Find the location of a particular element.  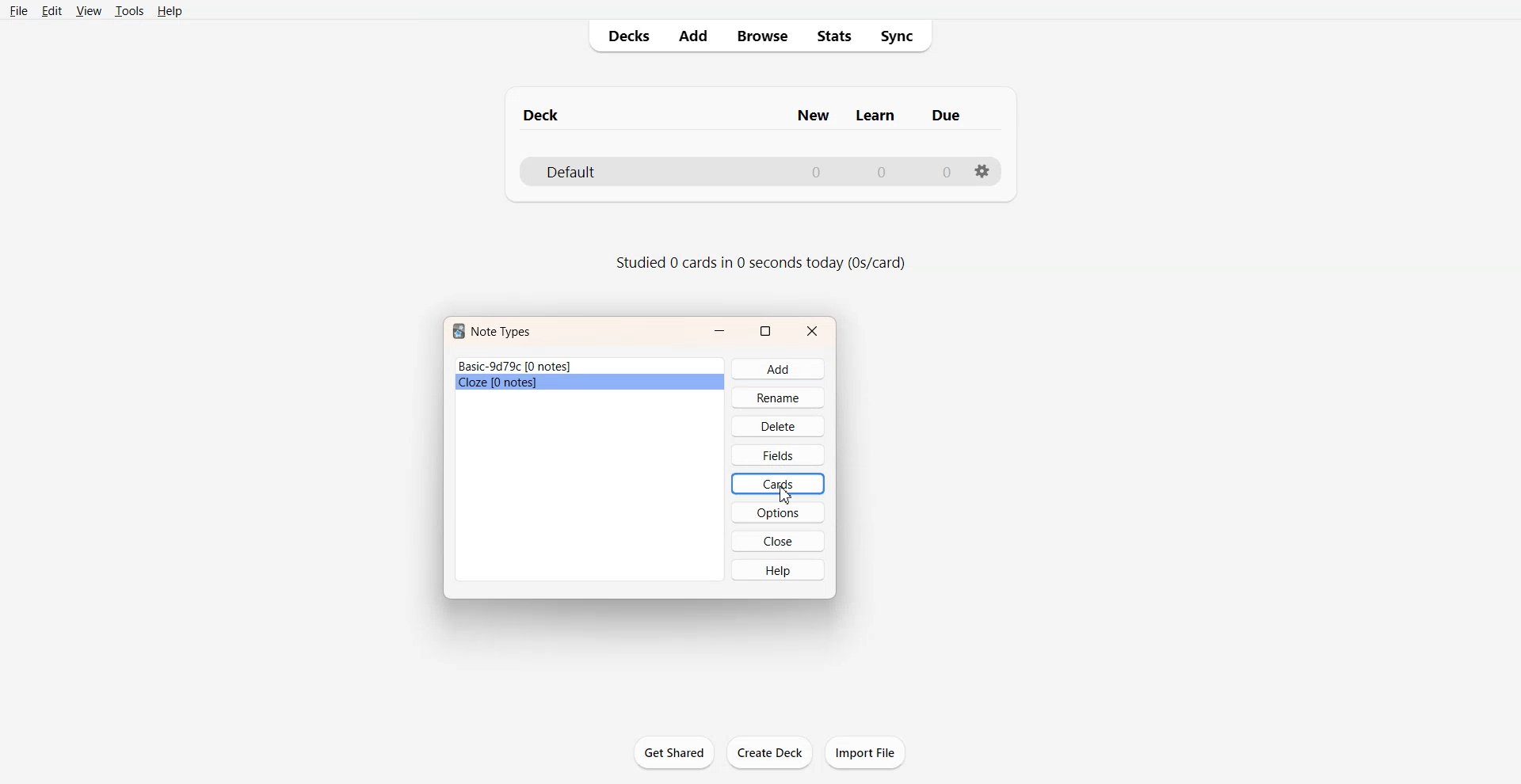

Rename is located at coordinates (778, 397).